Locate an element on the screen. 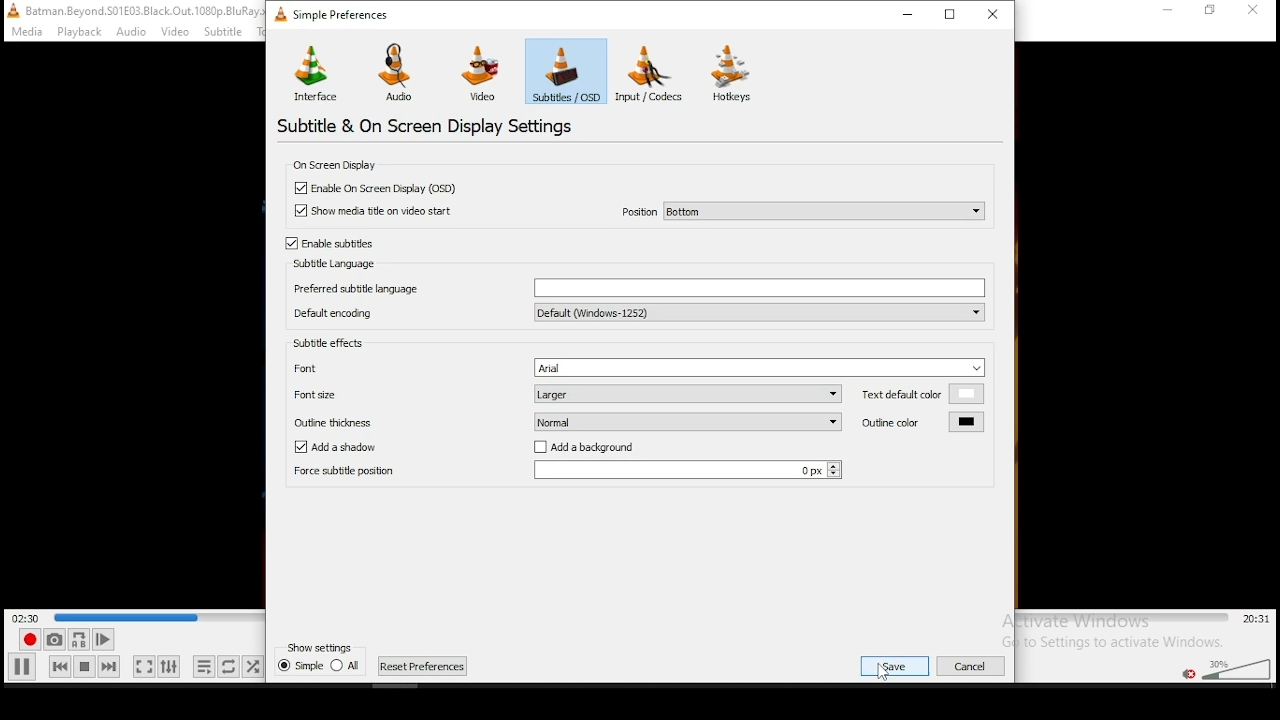 Image resolution: width=1280 pixels, height=720 pixels. seek bar is located at coordinates (159, 617).